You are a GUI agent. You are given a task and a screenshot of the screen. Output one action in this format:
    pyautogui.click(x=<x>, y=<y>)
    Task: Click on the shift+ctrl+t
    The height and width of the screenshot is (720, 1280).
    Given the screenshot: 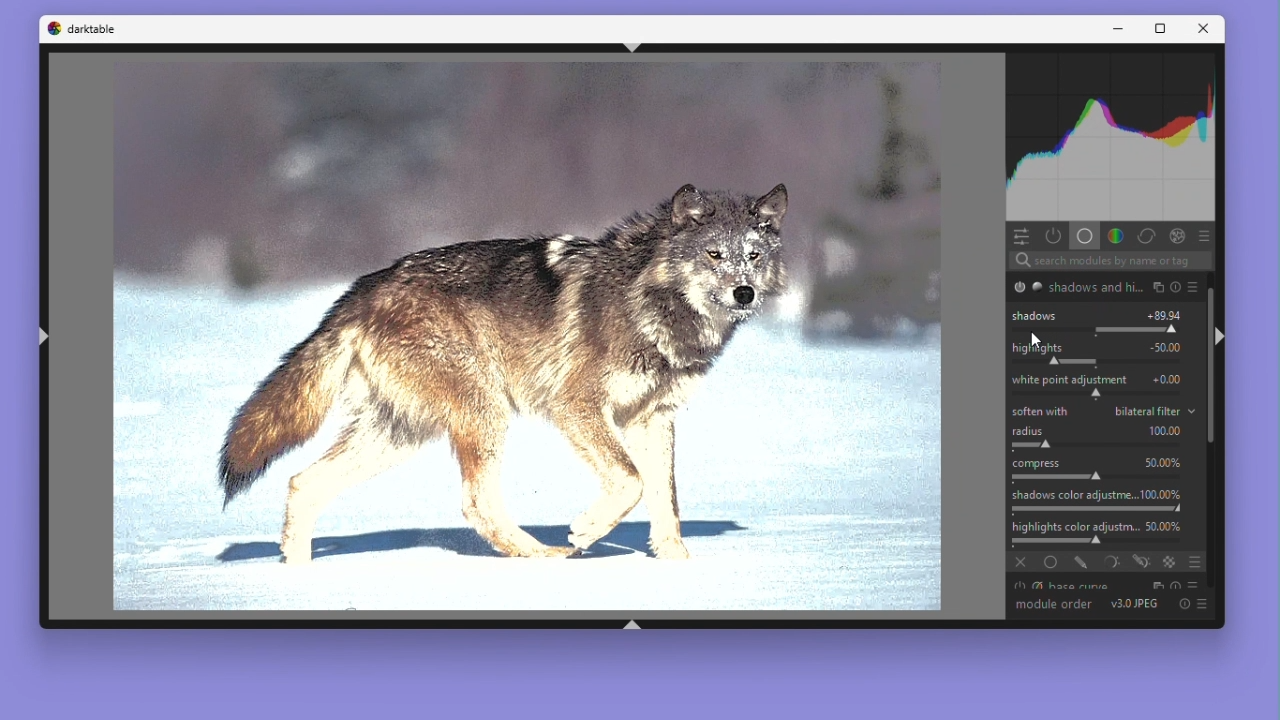 What is the action you would take?
    pyautogui.click(x=633, y=46)
    